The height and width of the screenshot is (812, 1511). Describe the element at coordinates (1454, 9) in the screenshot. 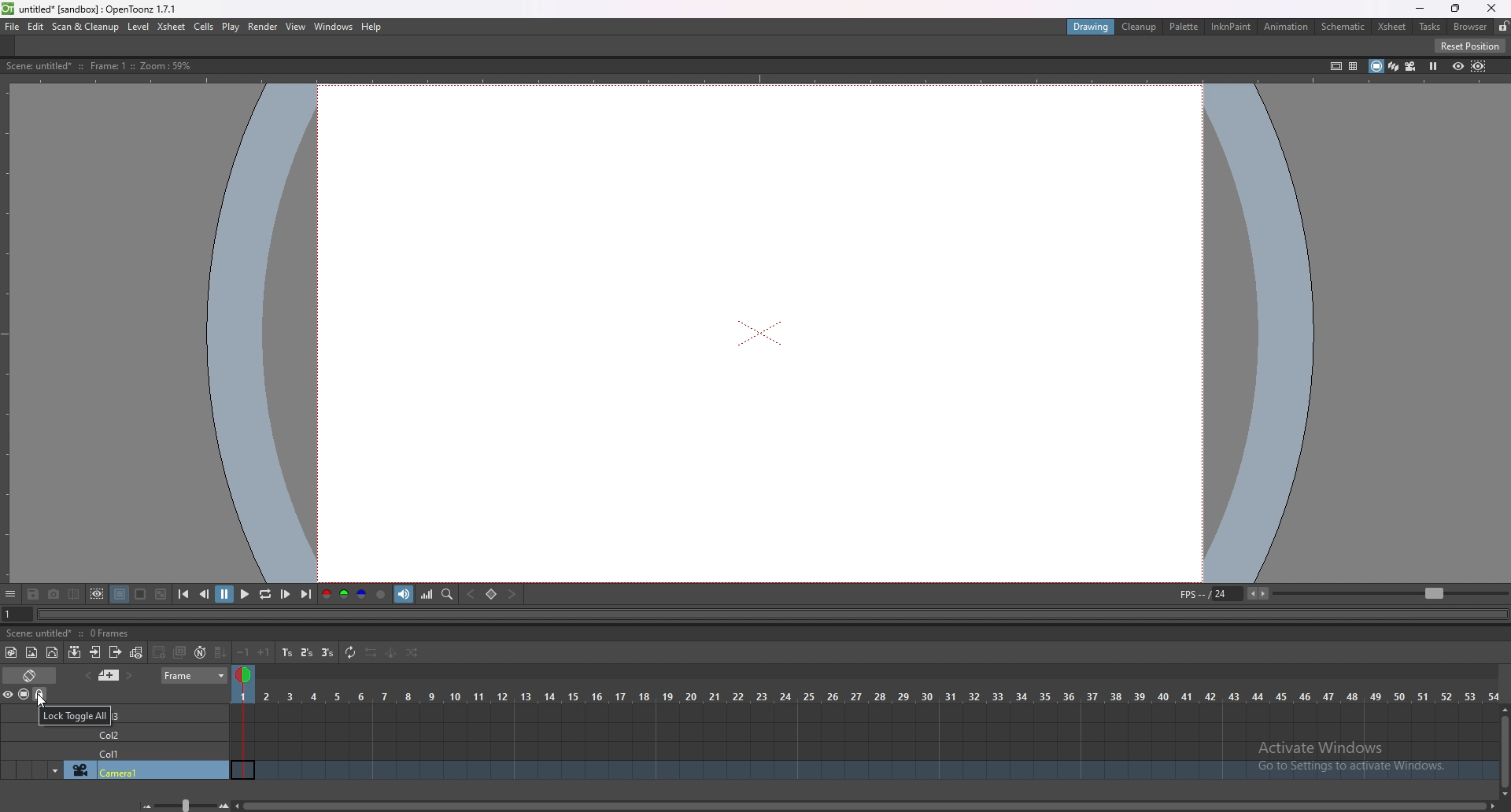

I see `resize` at that location.